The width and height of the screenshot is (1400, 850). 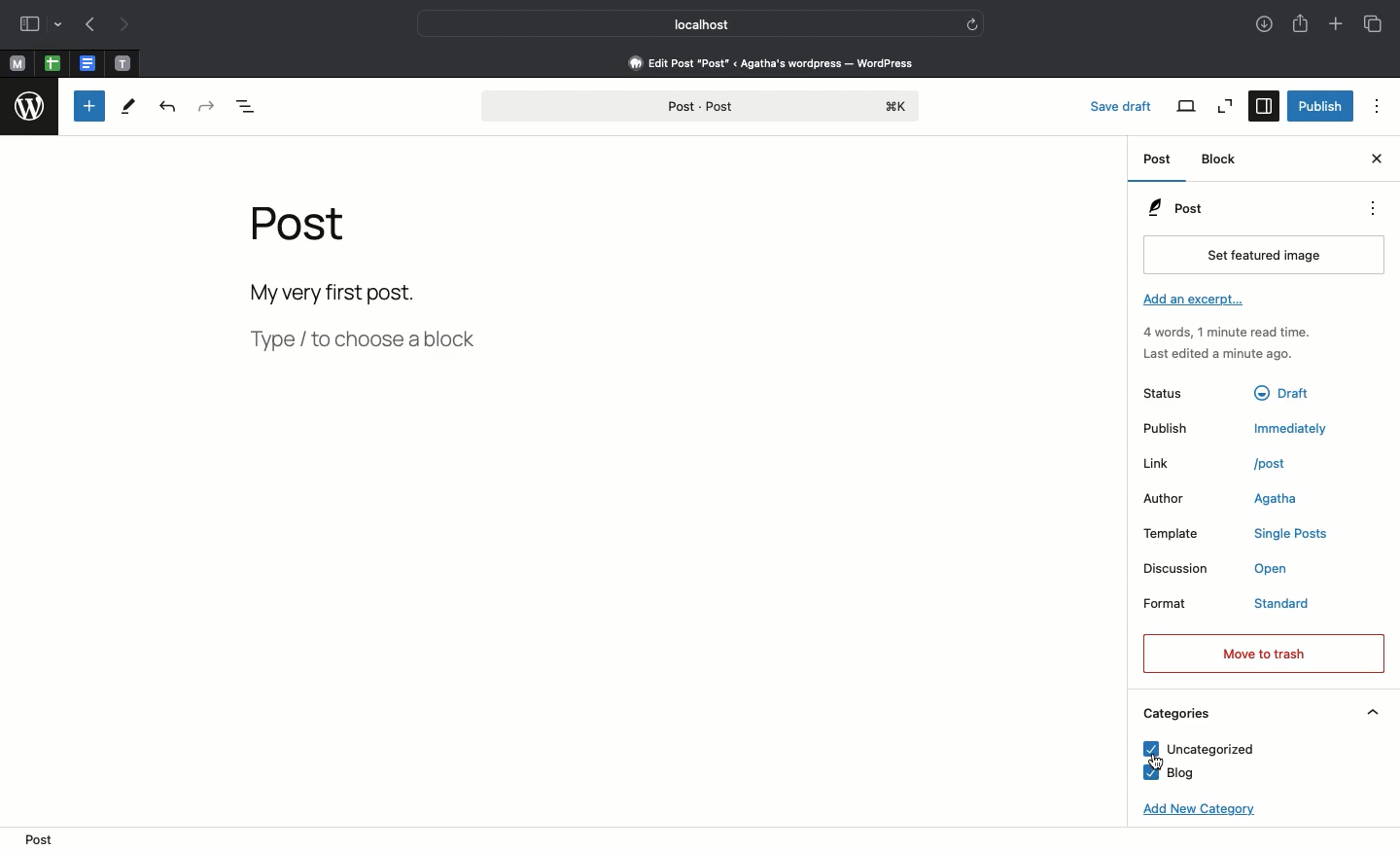 I want to click on Publish, so click(x=1179, y=429).